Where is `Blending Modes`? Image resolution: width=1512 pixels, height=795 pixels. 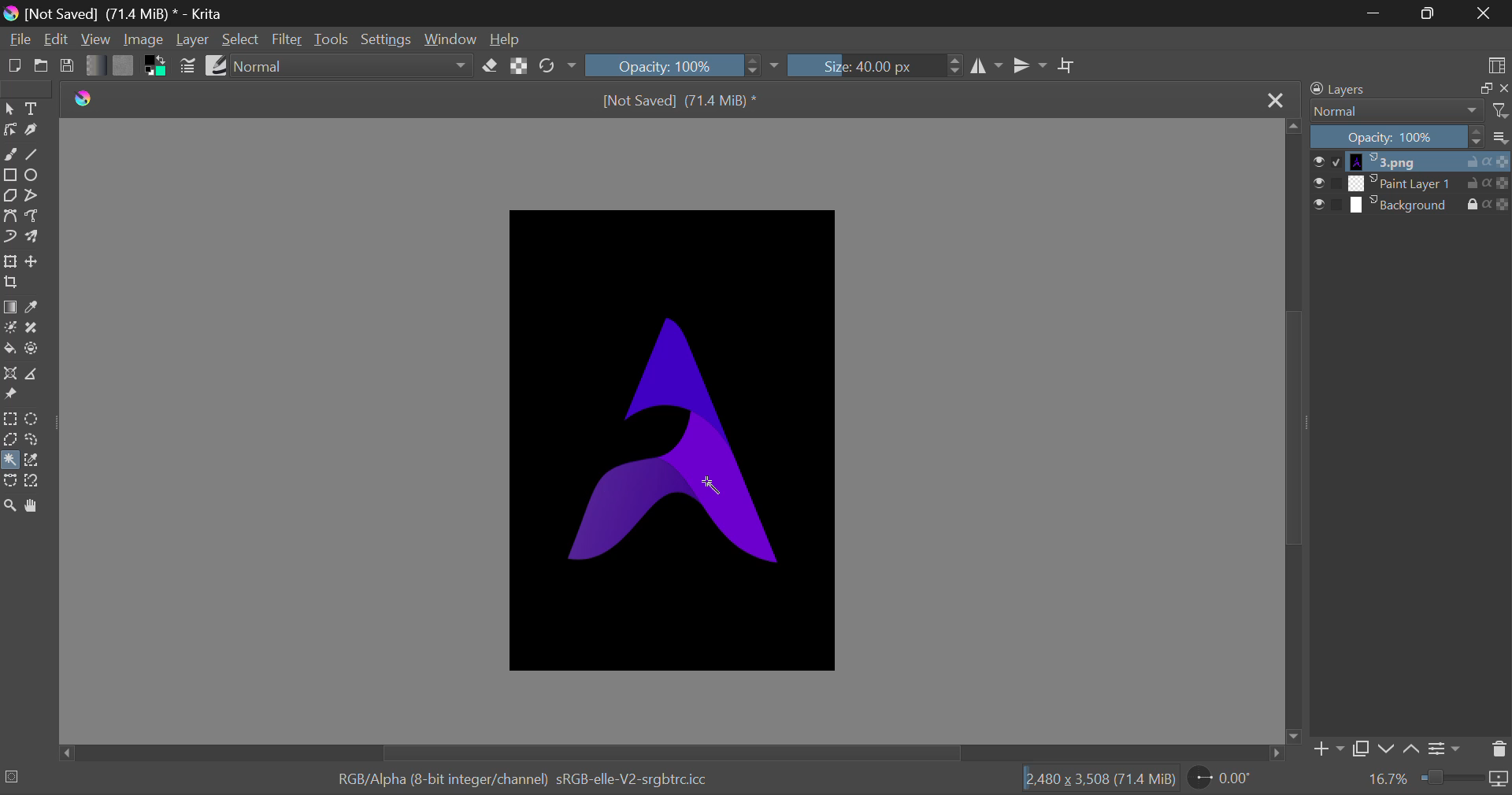
Blending Modes is located at coordinates (353, 65).